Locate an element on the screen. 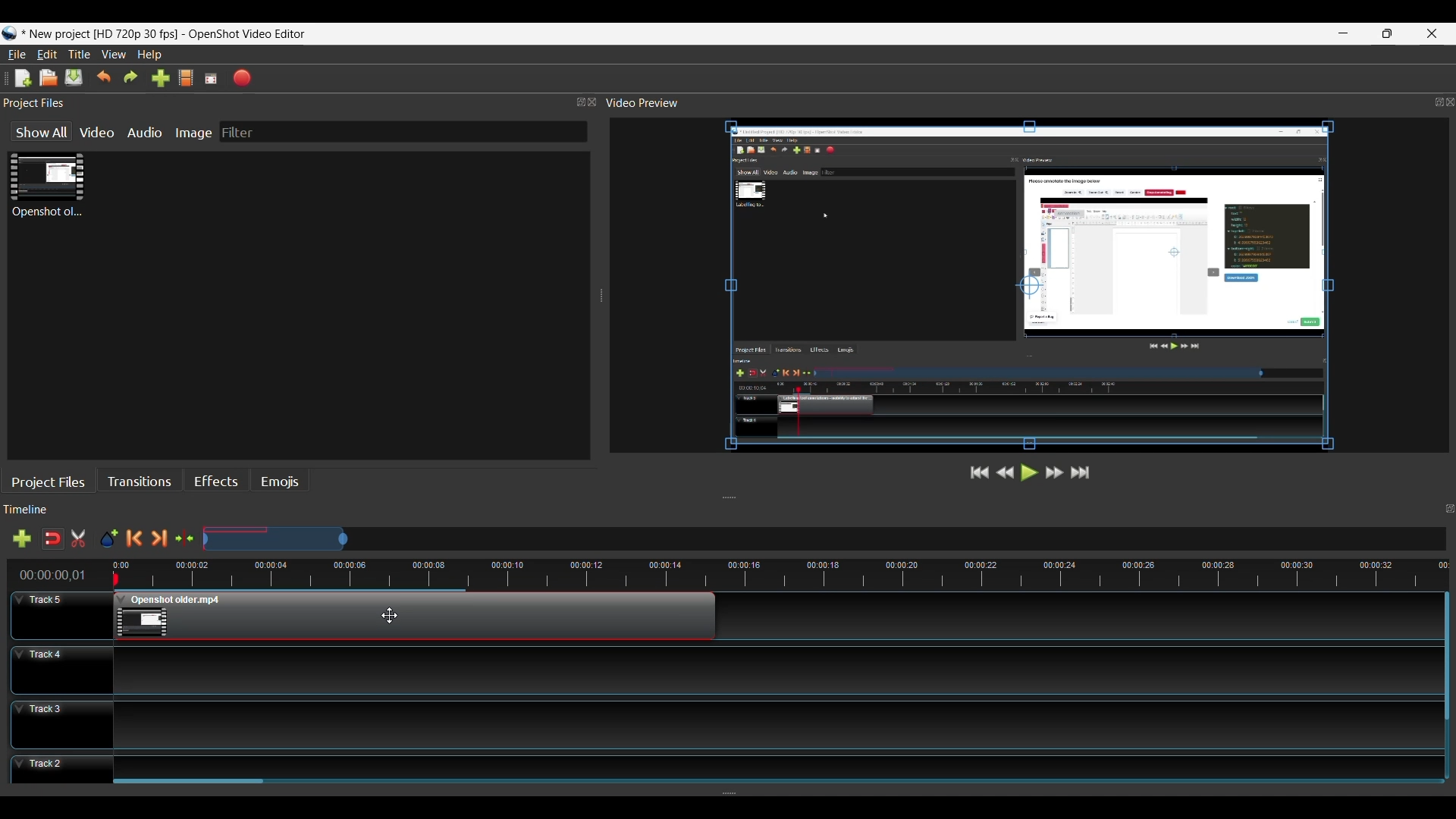 The height and width of the screenshot is (819, 1456). Import Files is located at coordinates (161, 78).